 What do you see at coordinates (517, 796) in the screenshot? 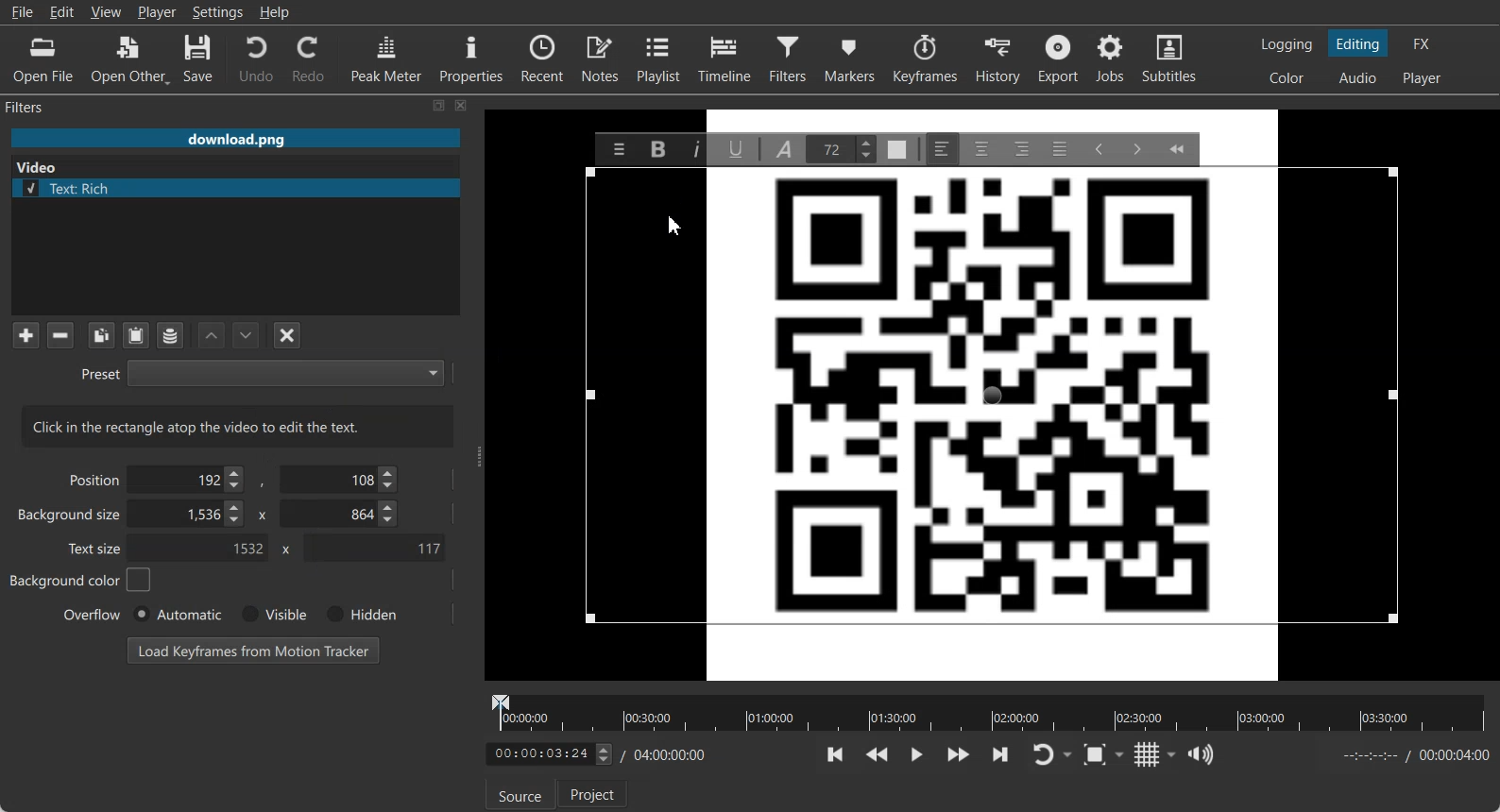
I see `Source` at bounding box center [517, 796].